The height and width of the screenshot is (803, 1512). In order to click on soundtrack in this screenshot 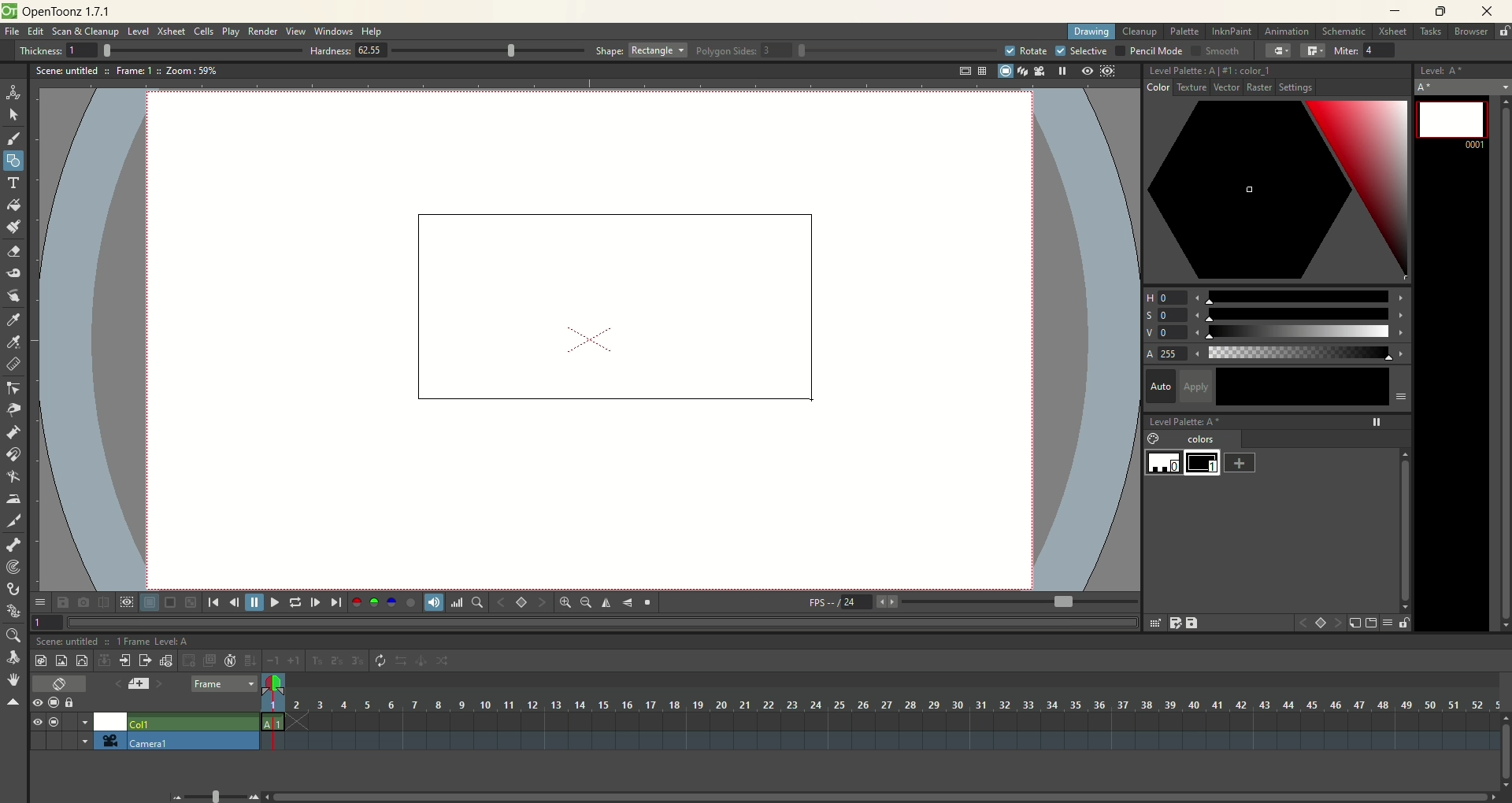, I will do `click(432, 601)`.